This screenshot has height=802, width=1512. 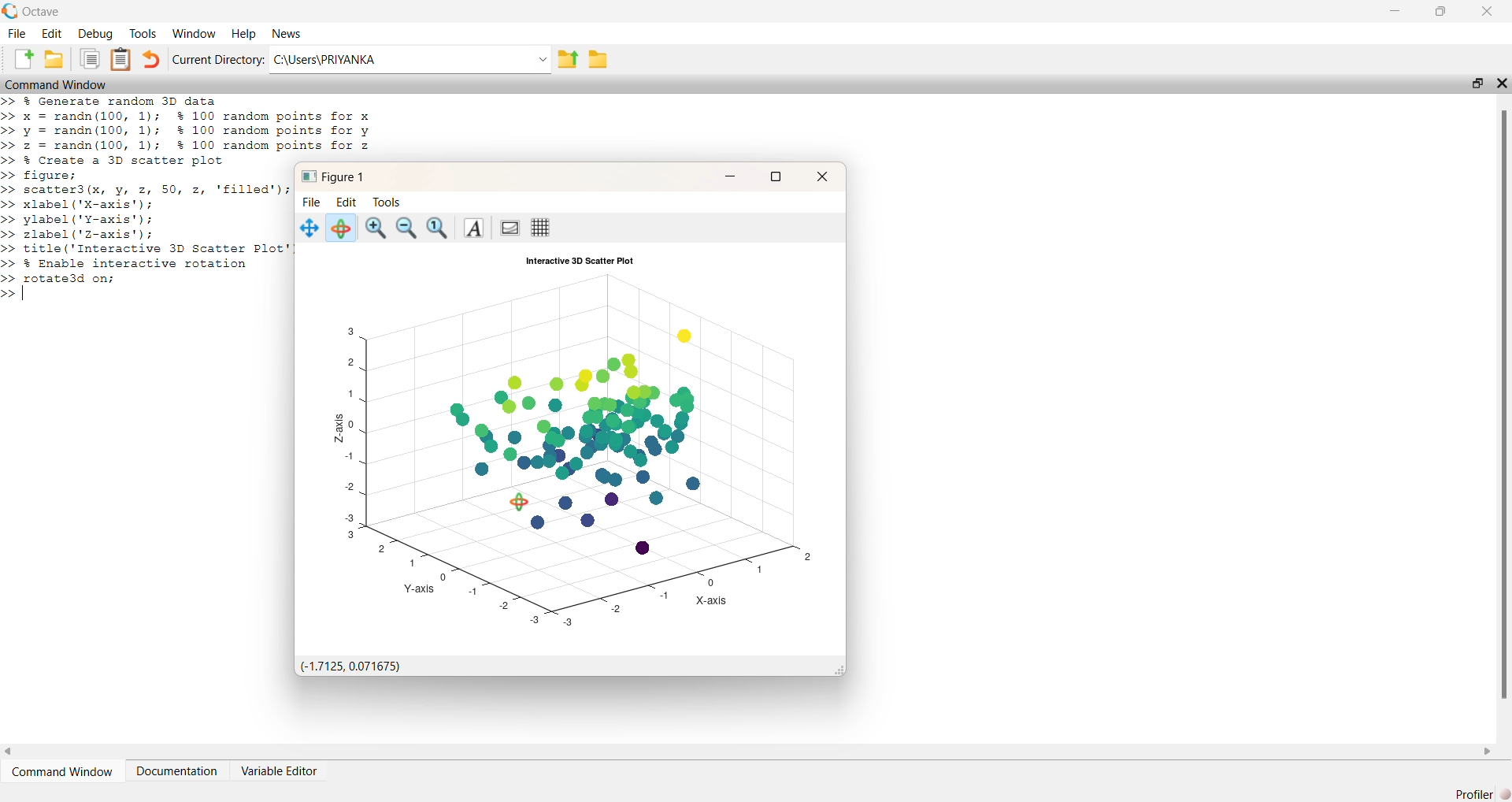 What do you see at coordinates (280, 770) in the screenshot?
I see `Variable Editor` at bounding box center [280, 770].